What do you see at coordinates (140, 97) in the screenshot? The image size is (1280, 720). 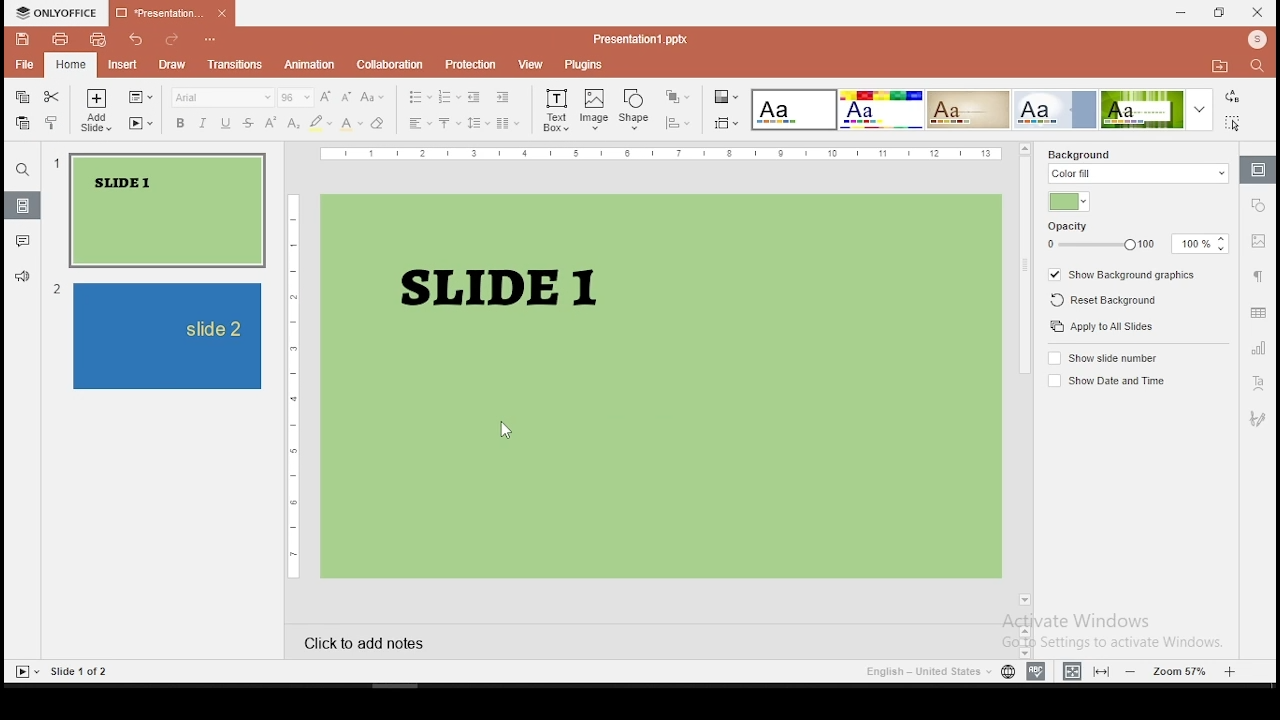 I see `change slide layout` at bounding box center [140, 97].